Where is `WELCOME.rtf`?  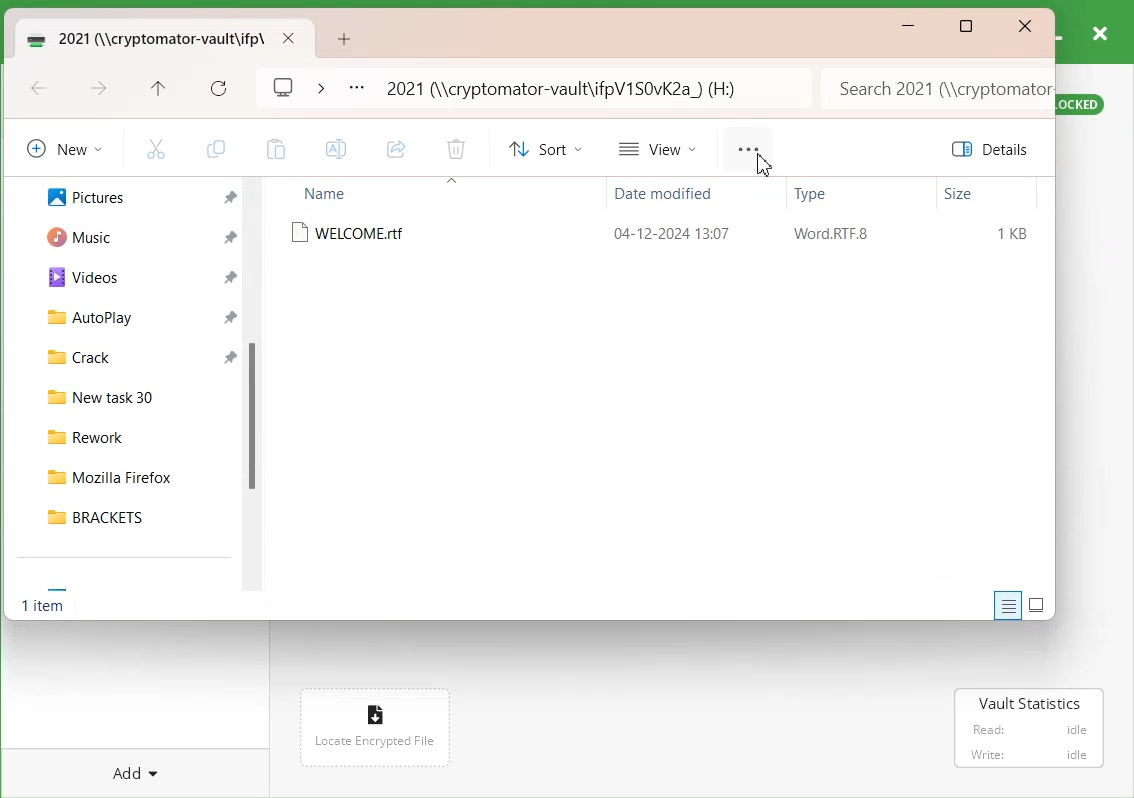
WELCOME.rtf is located at coordinates (659, 230).